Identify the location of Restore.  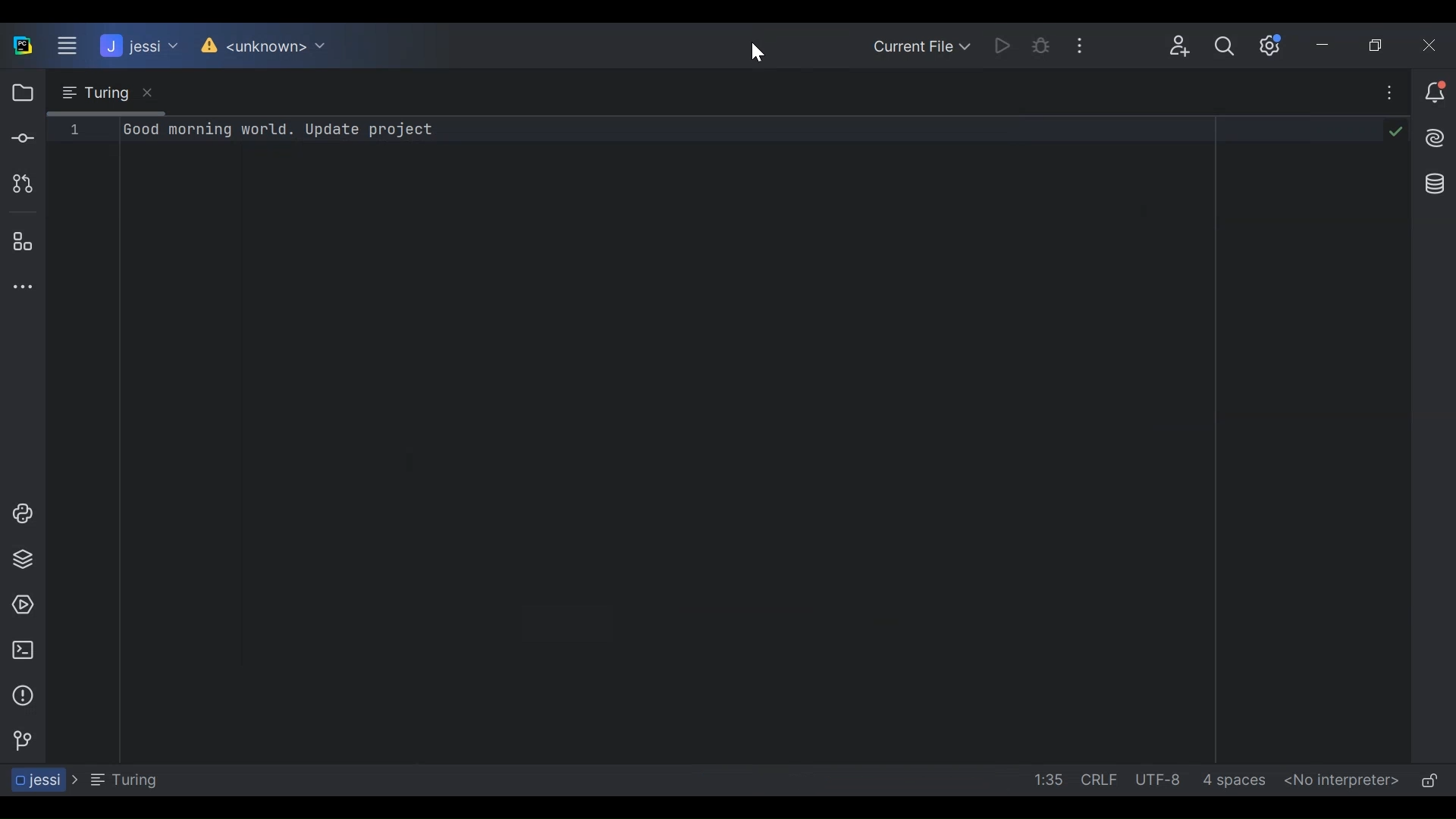
(1383, 45).